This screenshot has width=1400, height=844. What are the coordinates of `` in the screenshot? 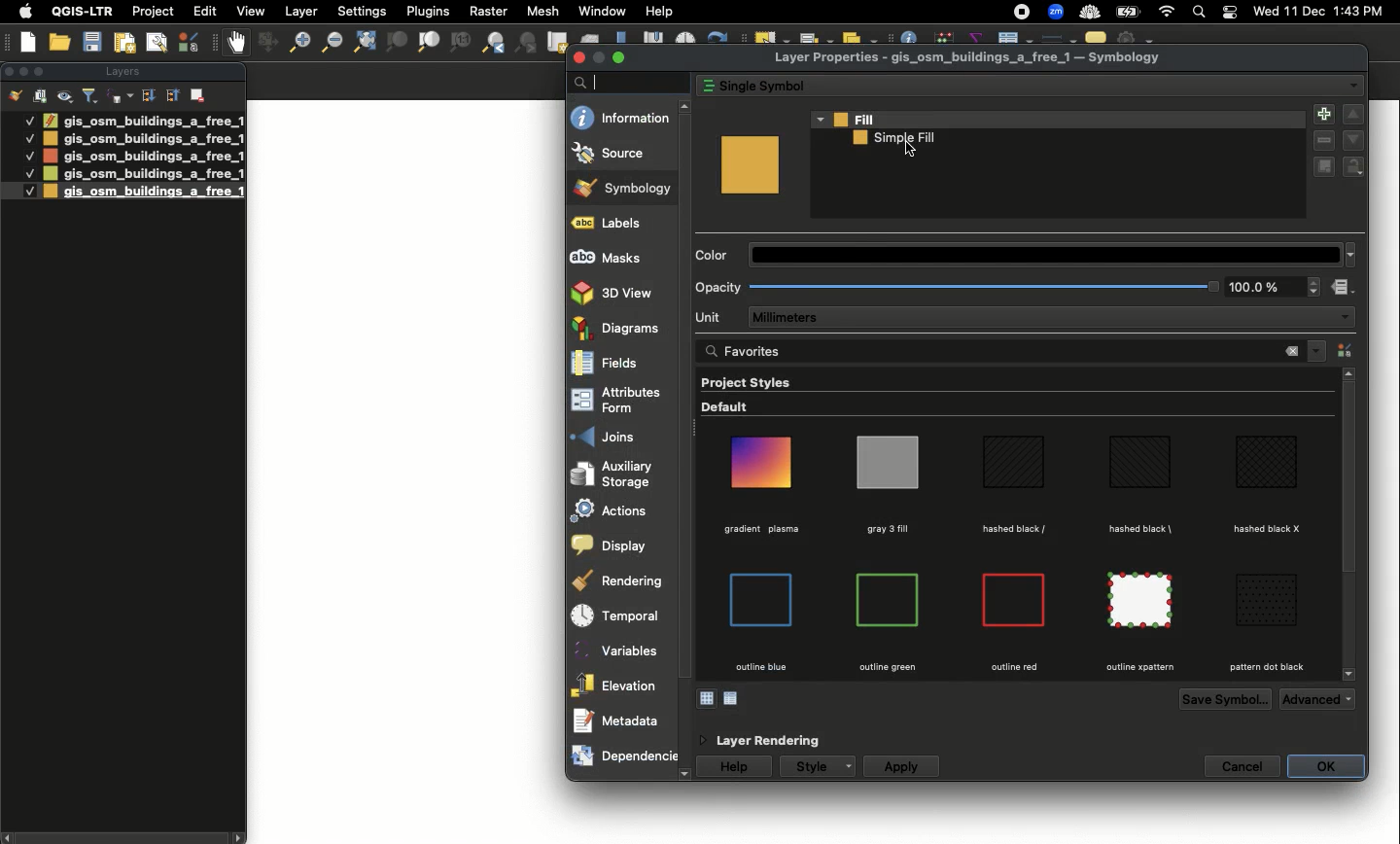 It's located at (1012, 459).